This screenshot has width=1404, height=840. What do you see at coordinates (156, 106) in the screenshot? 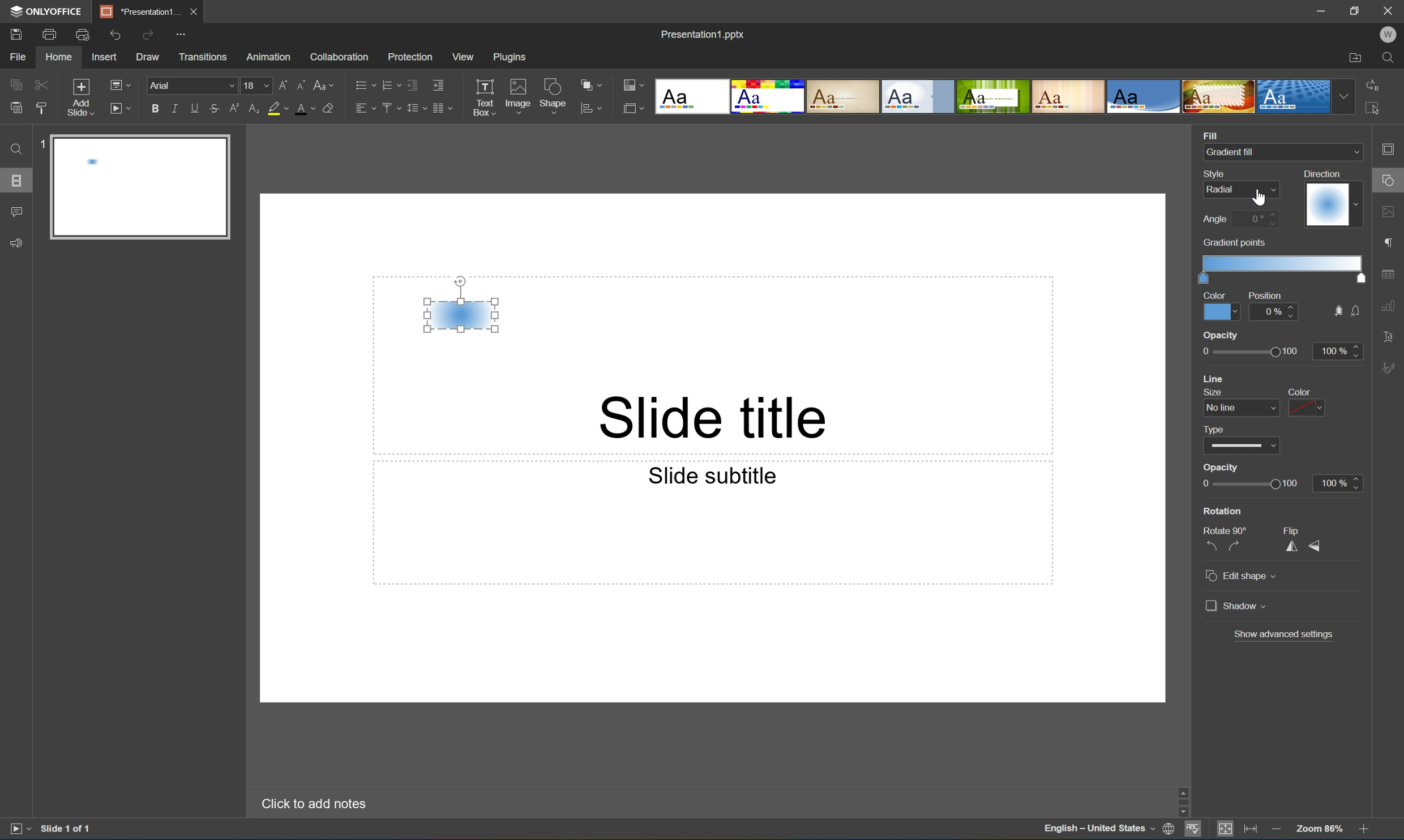
I see `Bold` at bounding box center [156, 106].